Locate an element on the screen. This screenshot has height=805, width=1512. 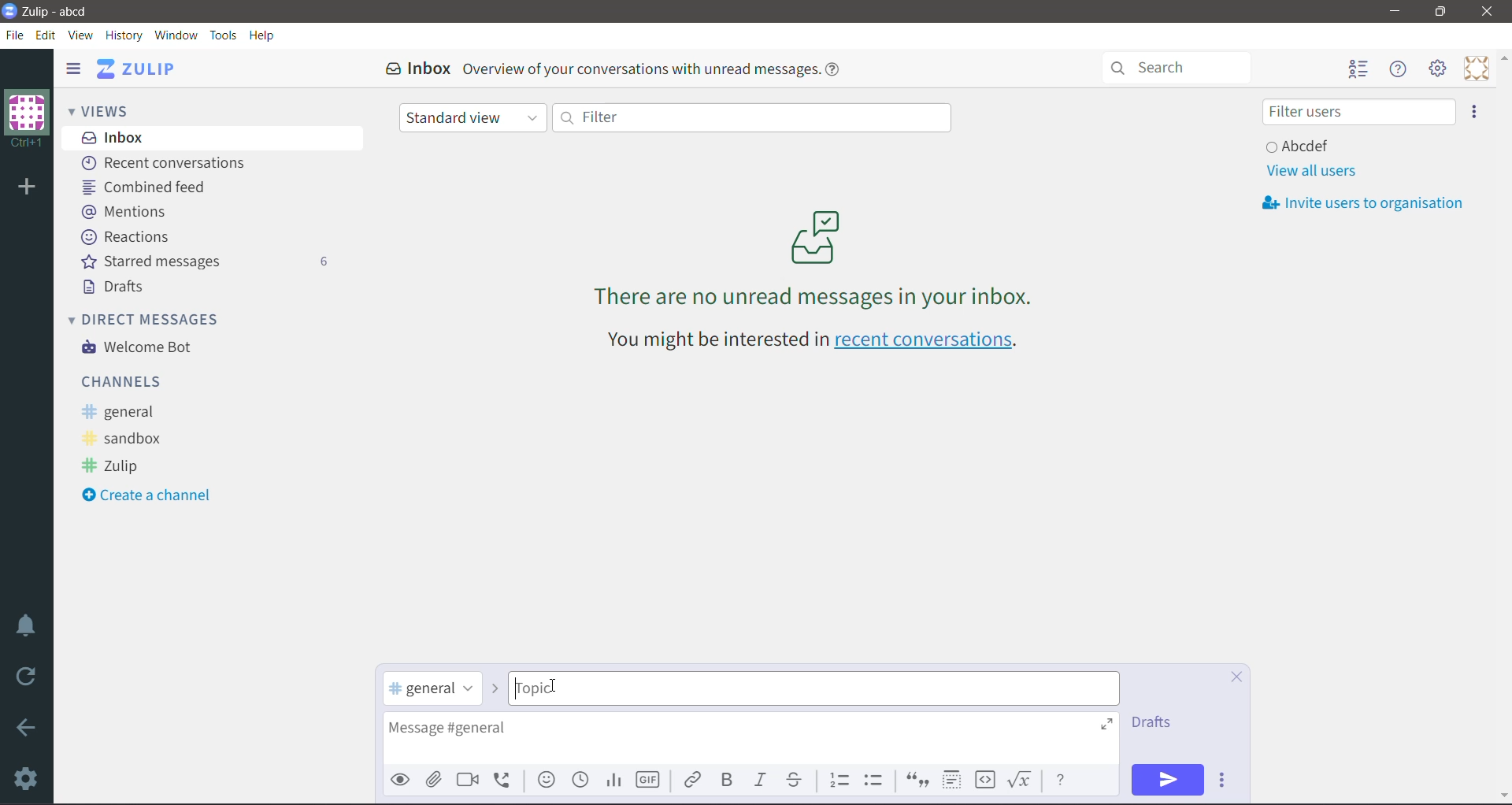
Cancel Compose is located at coordinates (1236, 678).